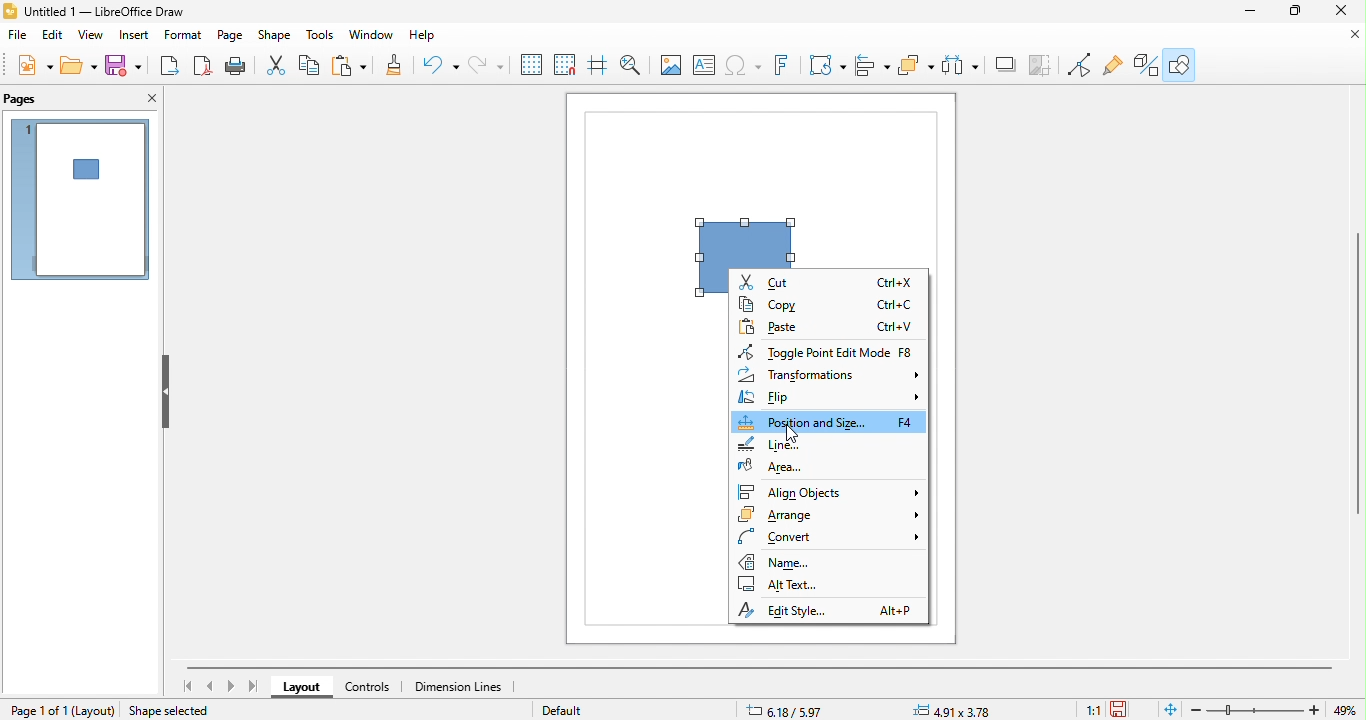 This screenshot has height=720, width=1366. What do you see at coordinates (785, 65) in the screenshot?
I see `fontwork text` at bounding box center [785, 65].